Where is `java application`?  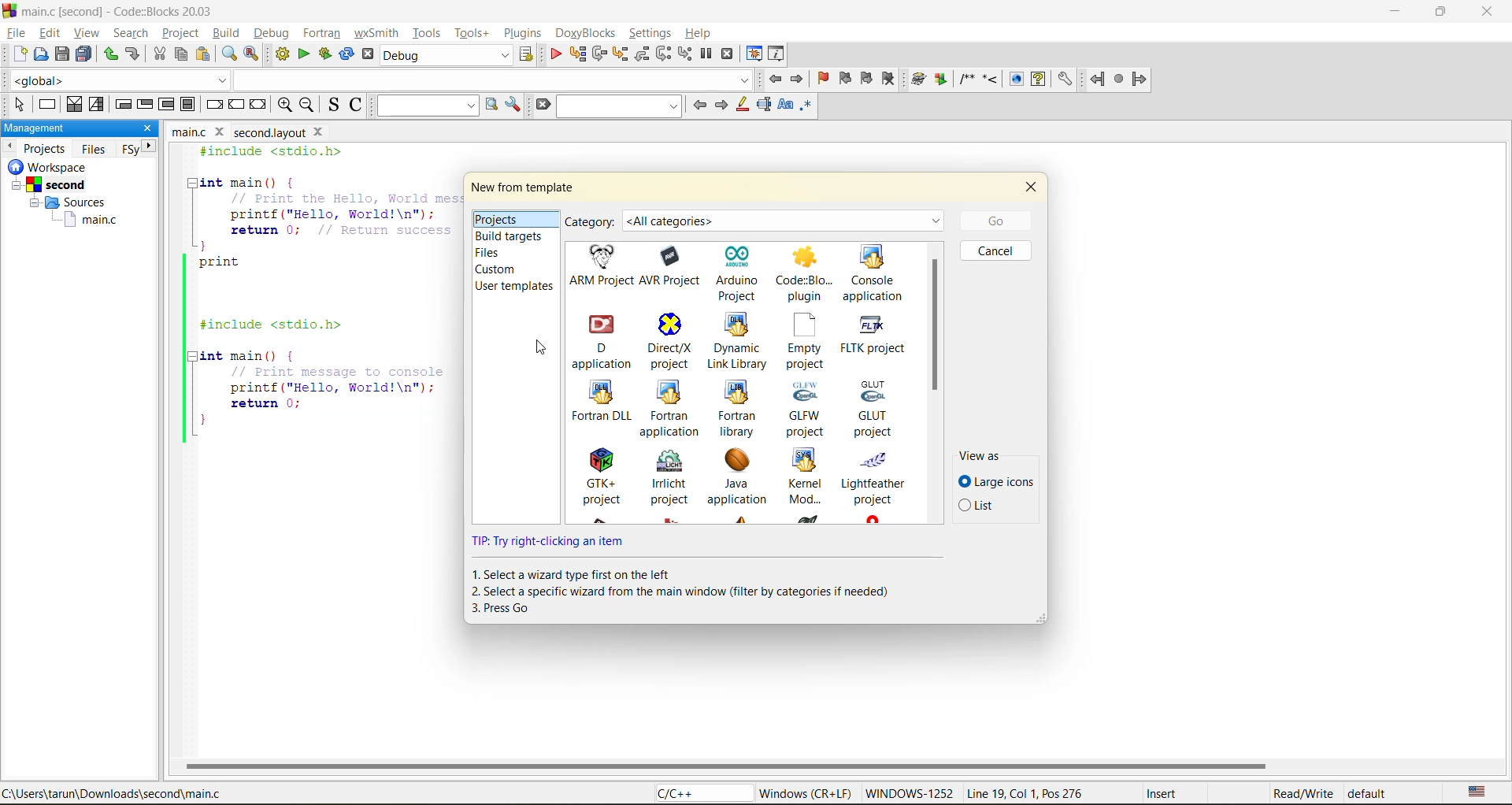 java application is located at coordinates (744, 477).